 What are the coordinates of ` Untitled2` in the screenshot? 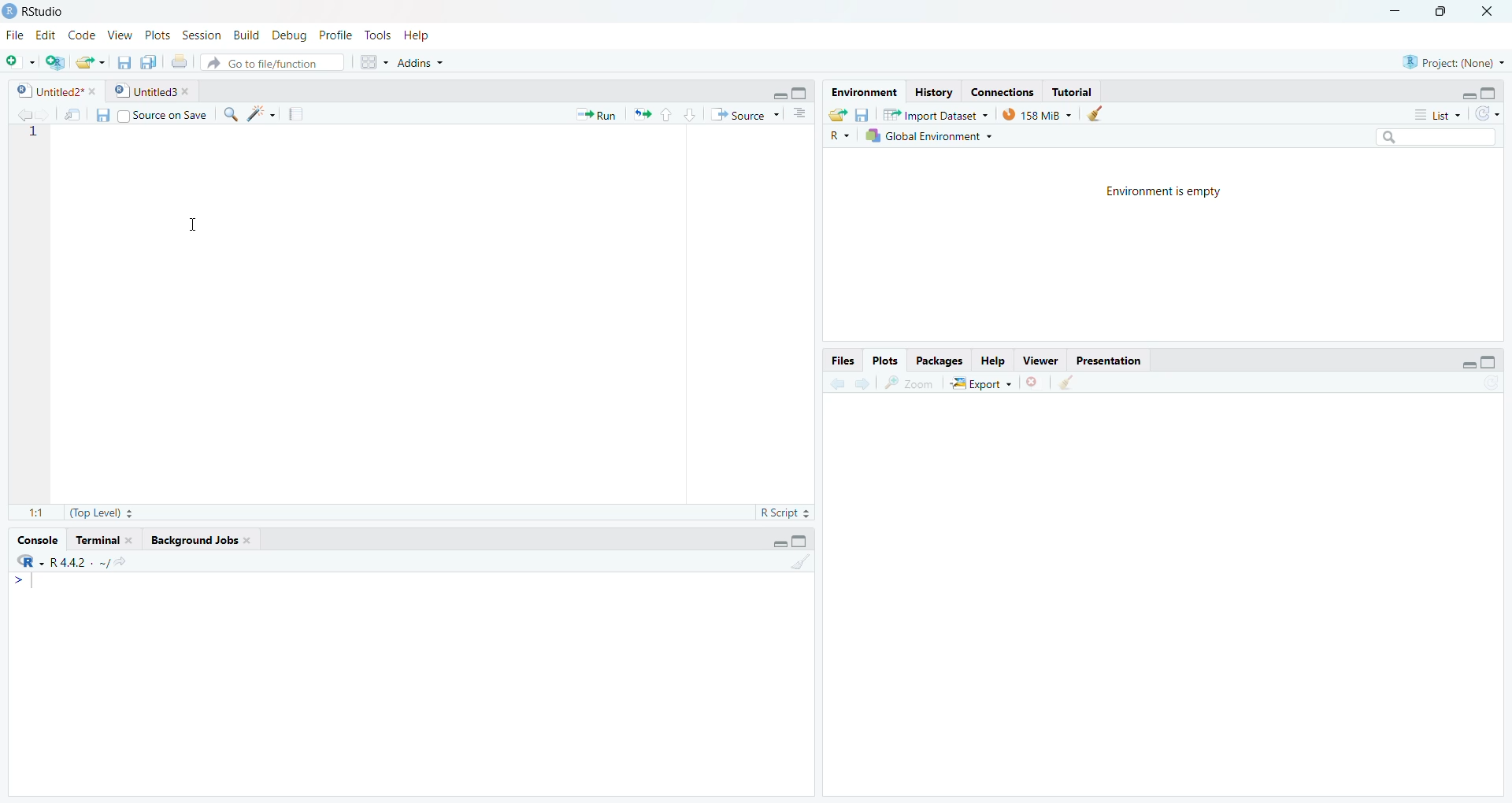 It's located at (51, 89).